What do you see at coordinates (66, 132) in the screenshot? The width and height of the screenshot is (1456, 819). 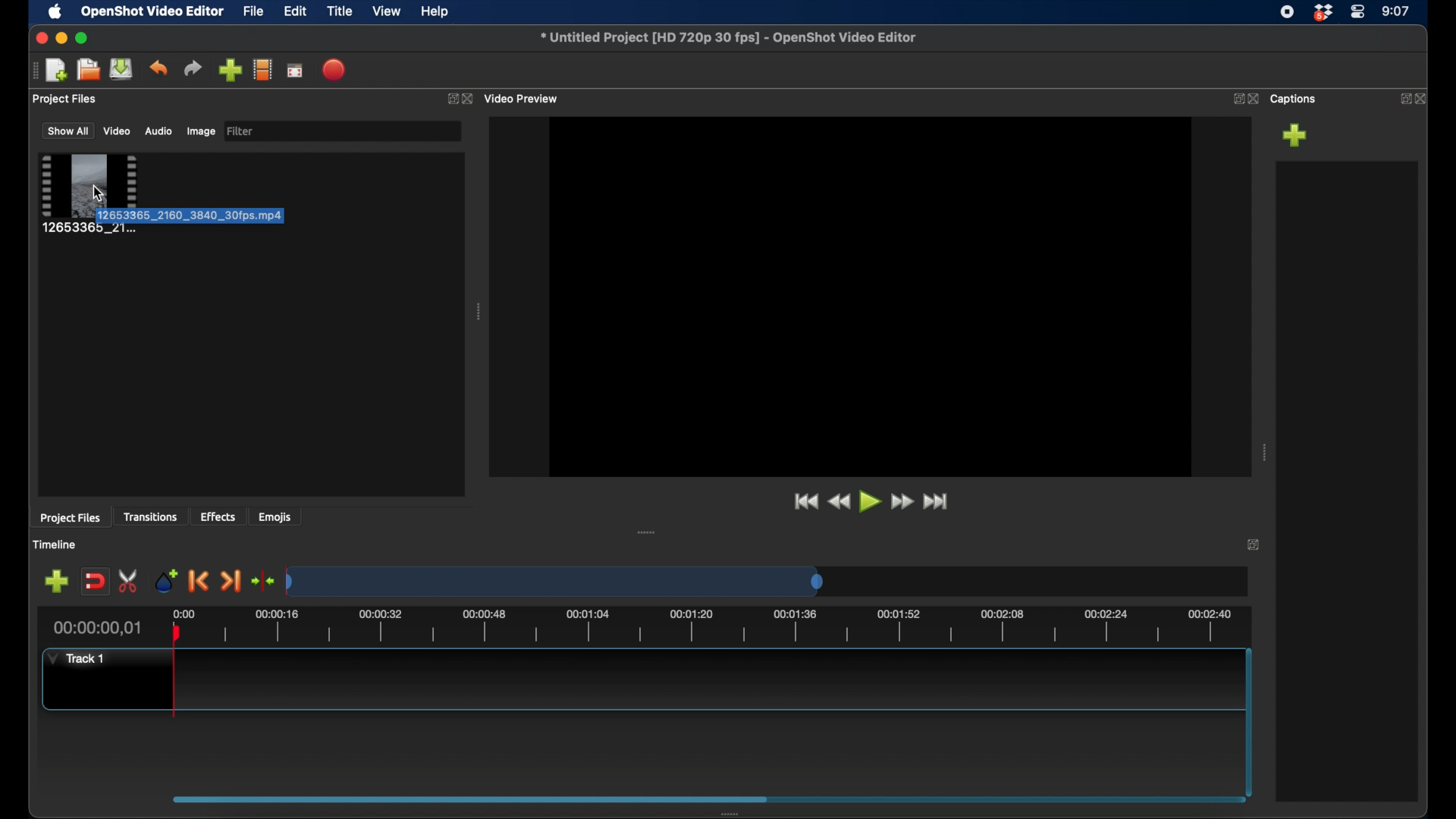 I see `show all` at bounding box center [66, 132].